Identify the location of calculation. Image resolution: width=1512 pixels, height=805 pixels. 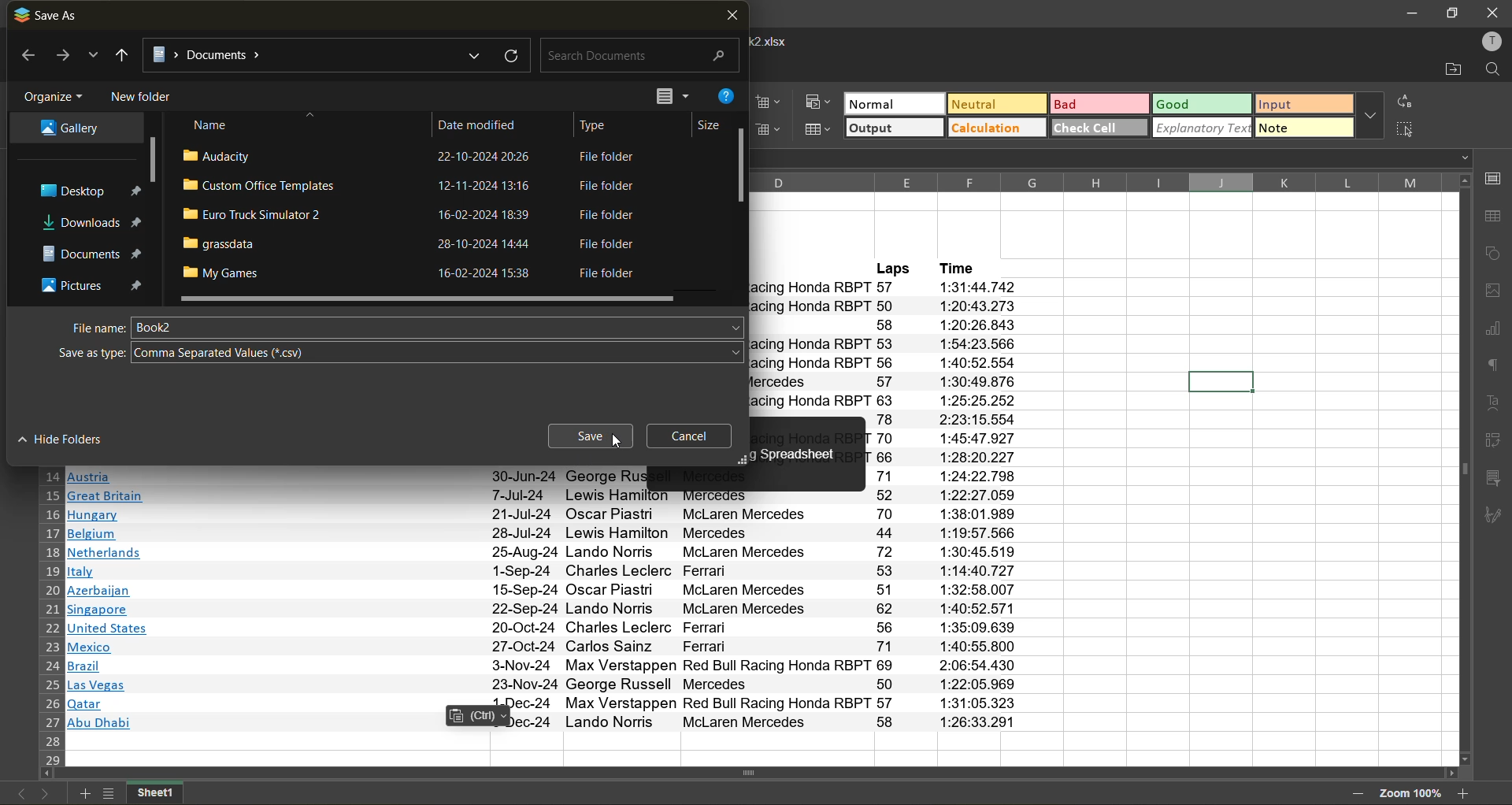
(997, 129).